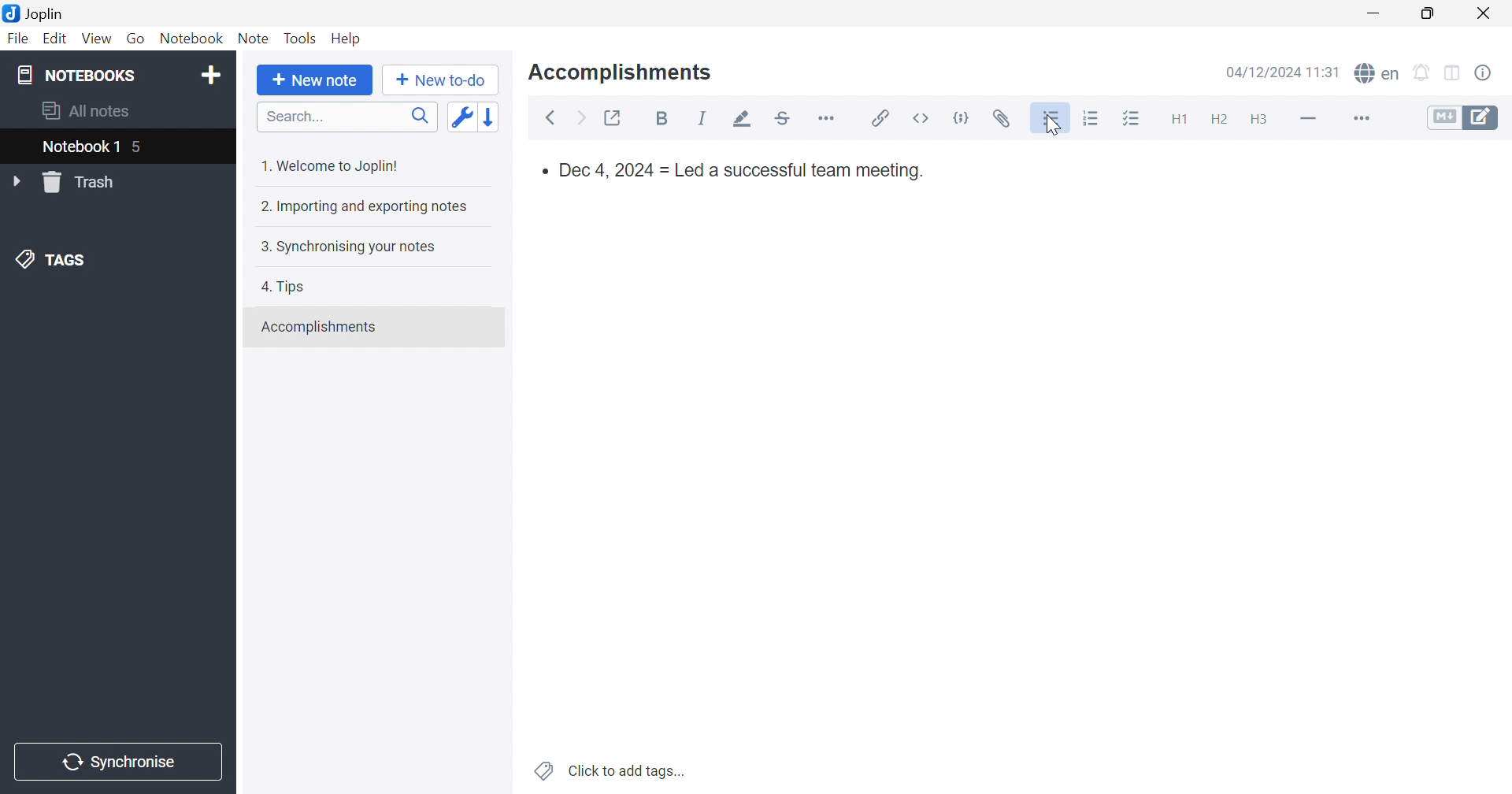  I want to click on Horizontal, so click(828, 118).